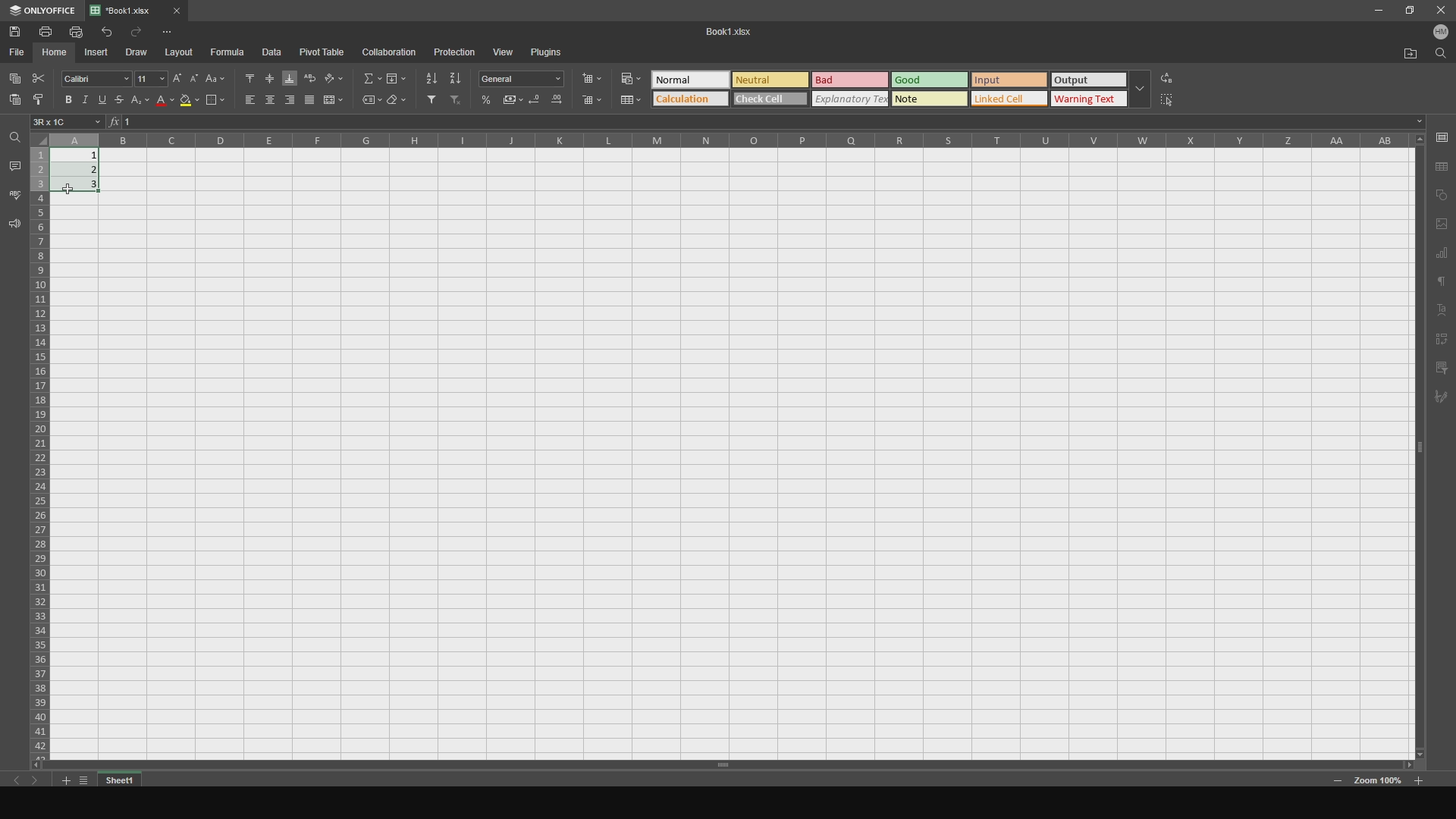 This screenshot has width=1456, height=819. What do you see at coordinates (13, 165) in the screenshot?
I see `comments` at bounding box center [13, 165].